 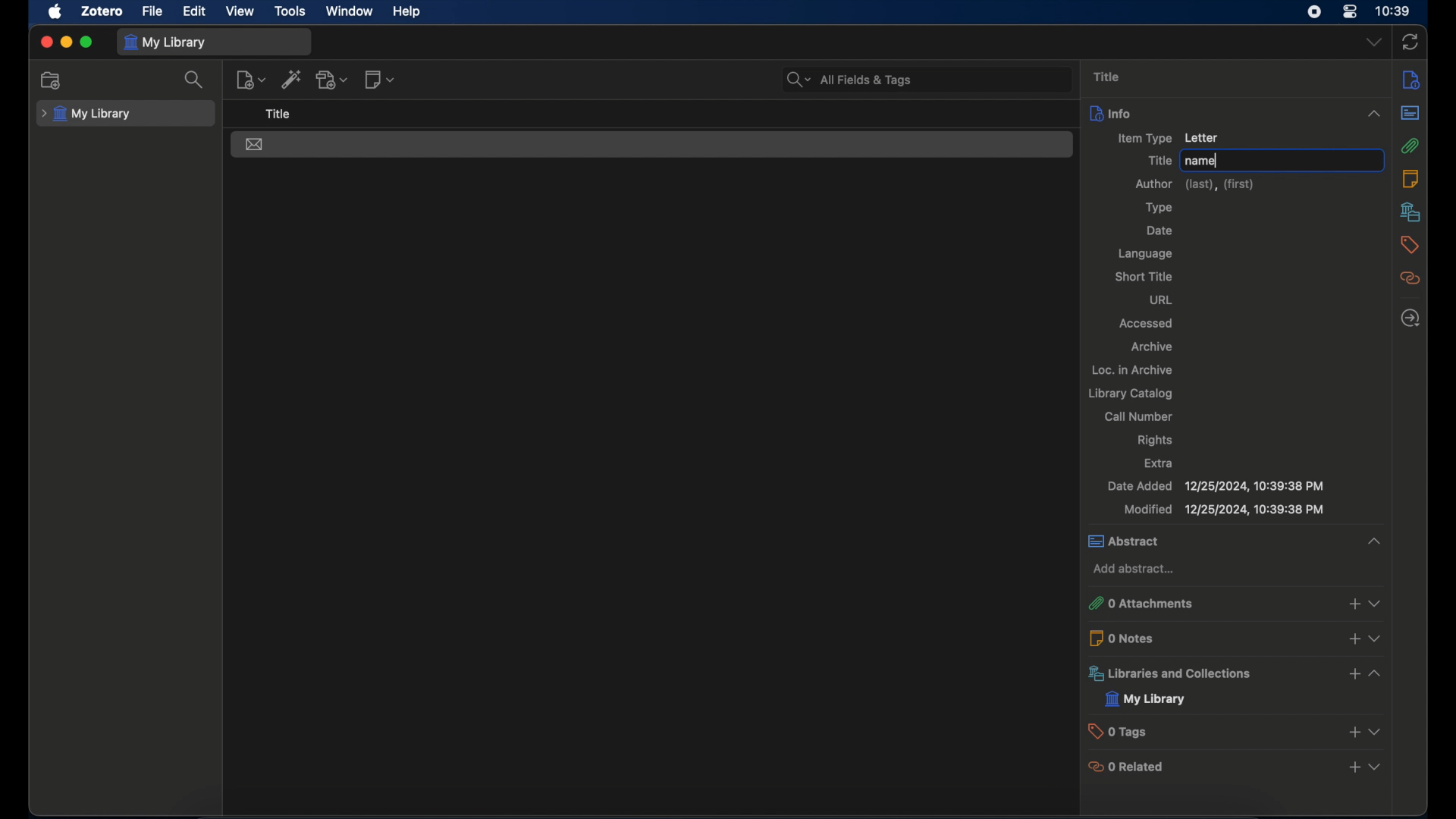 I want to click on tools, so click(x=290, y=11).